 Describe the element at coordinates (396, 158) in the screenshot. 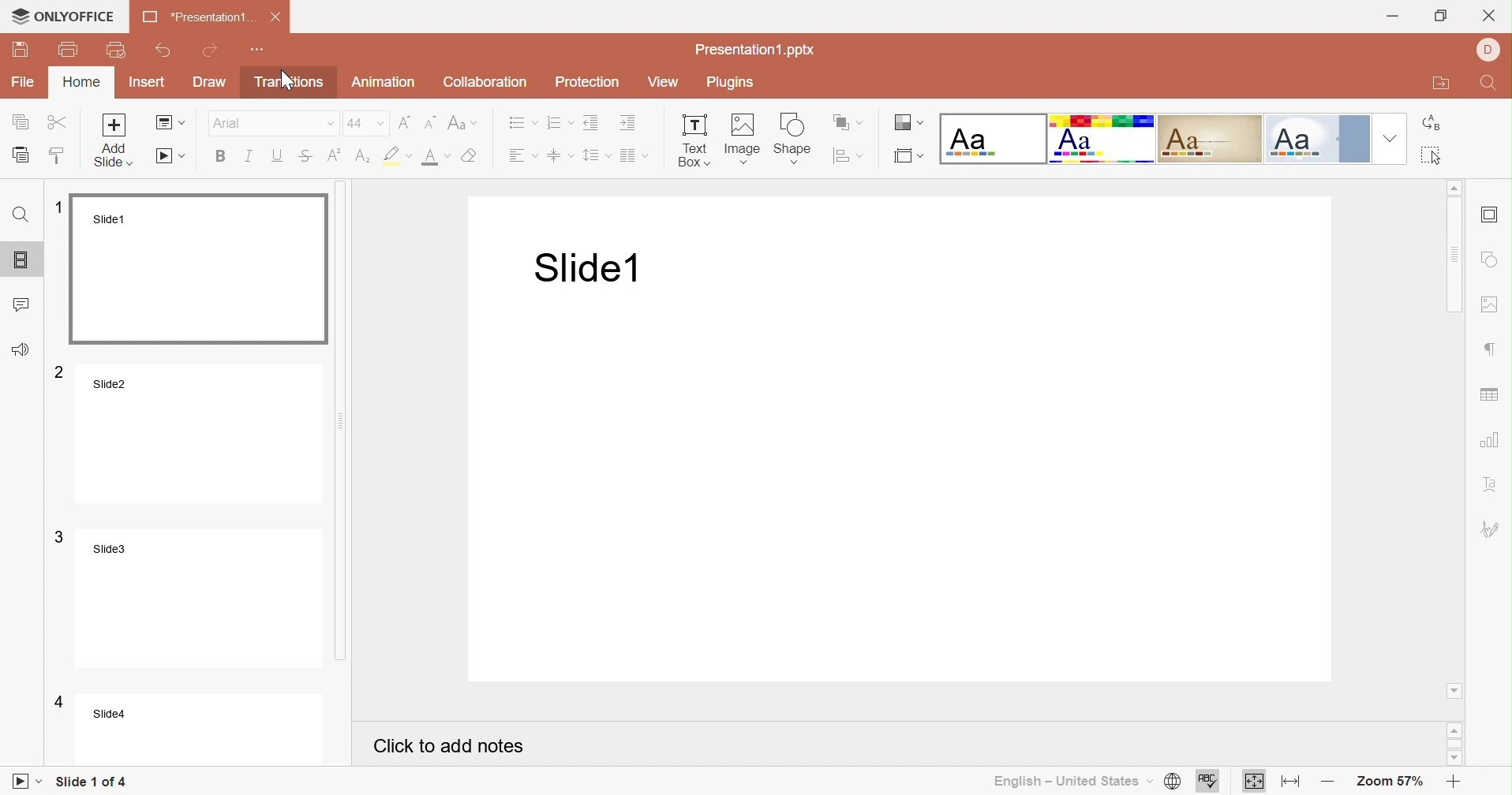

I see `Highlight color` at that location.